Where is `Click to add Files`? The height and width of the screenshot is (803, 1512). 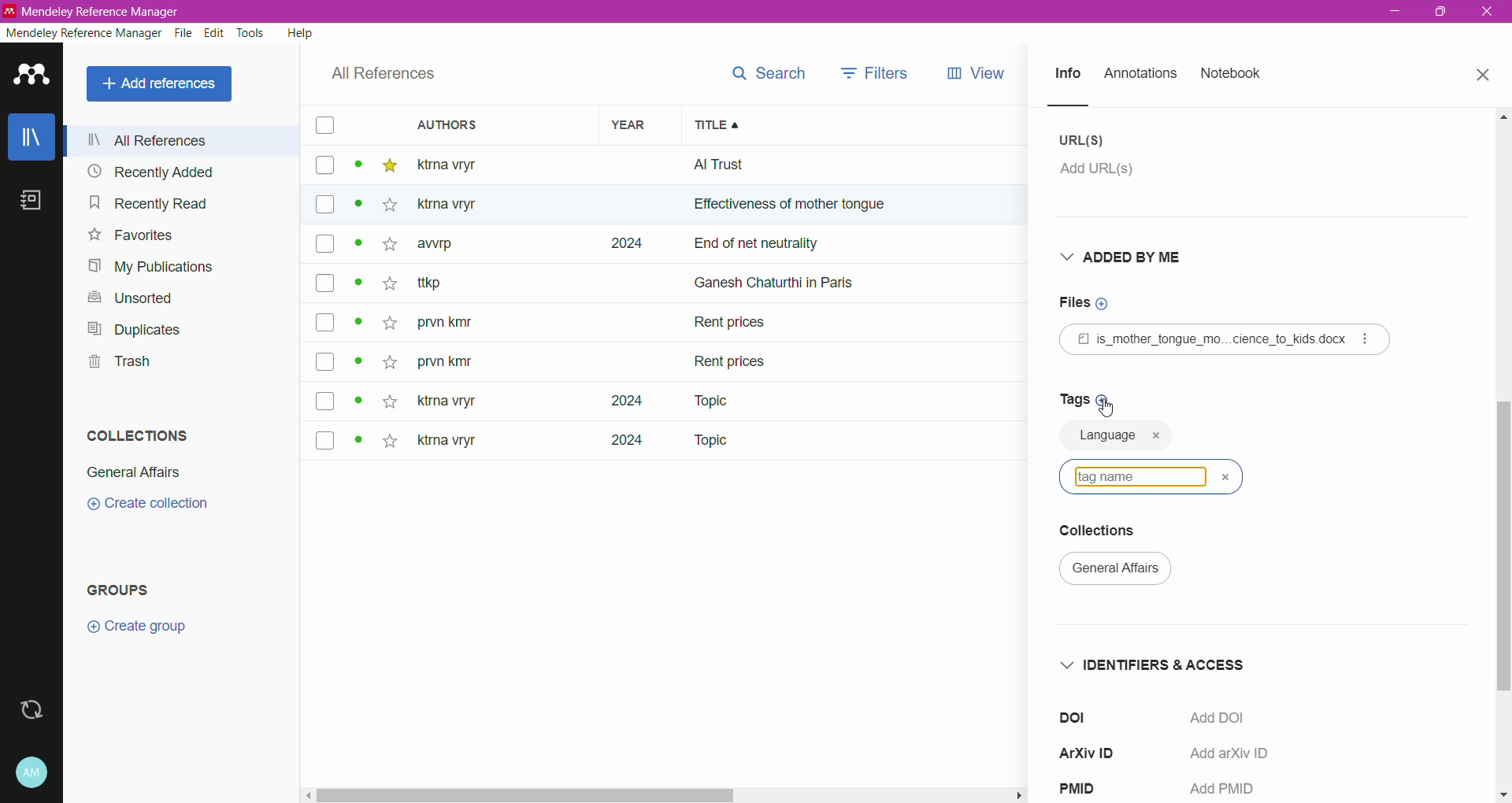
Click to add Files is located at coordinates (1092, 303).